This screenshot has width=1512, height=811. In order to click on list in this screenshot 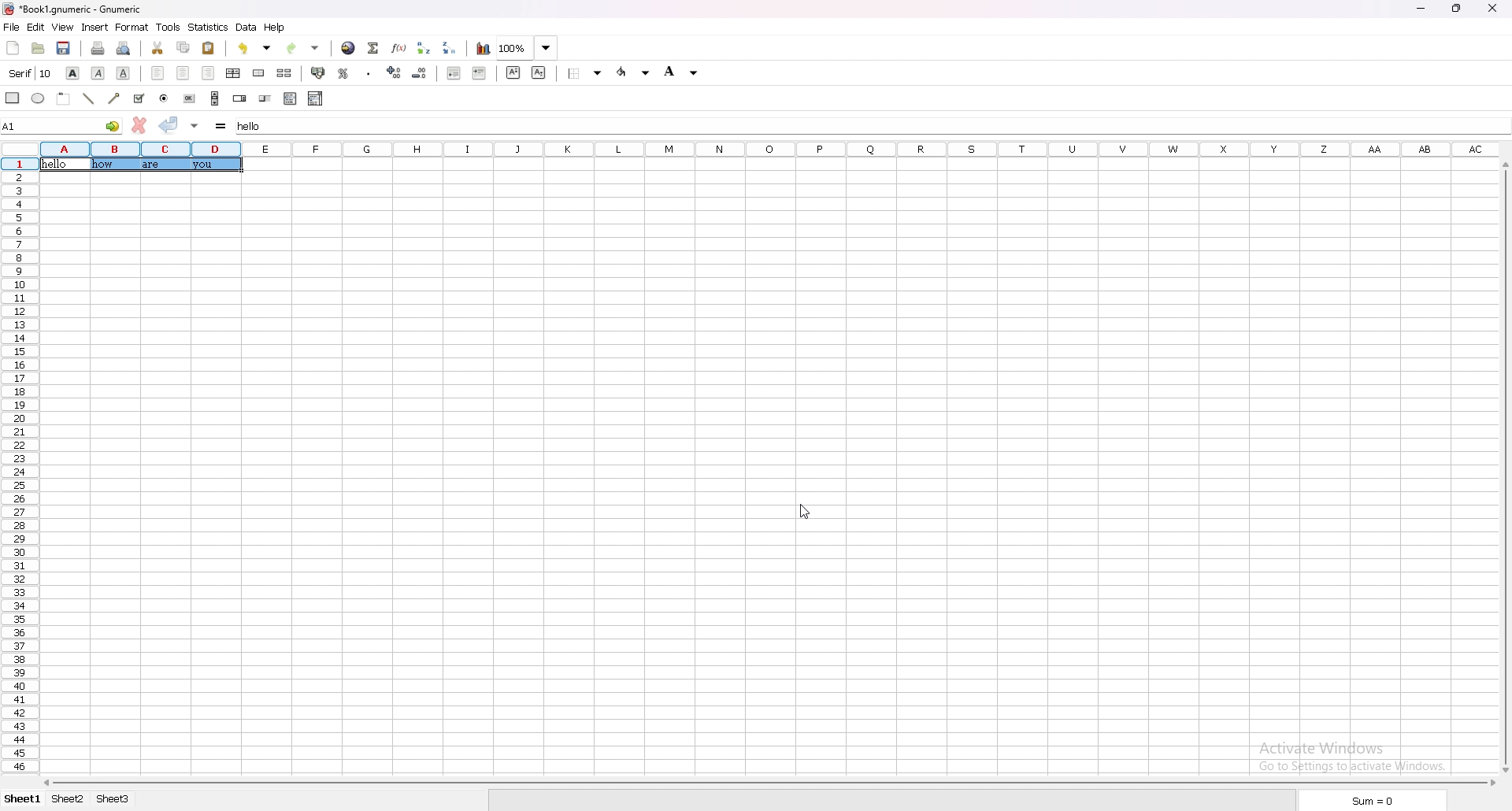, I will do `click(290, 99)`.